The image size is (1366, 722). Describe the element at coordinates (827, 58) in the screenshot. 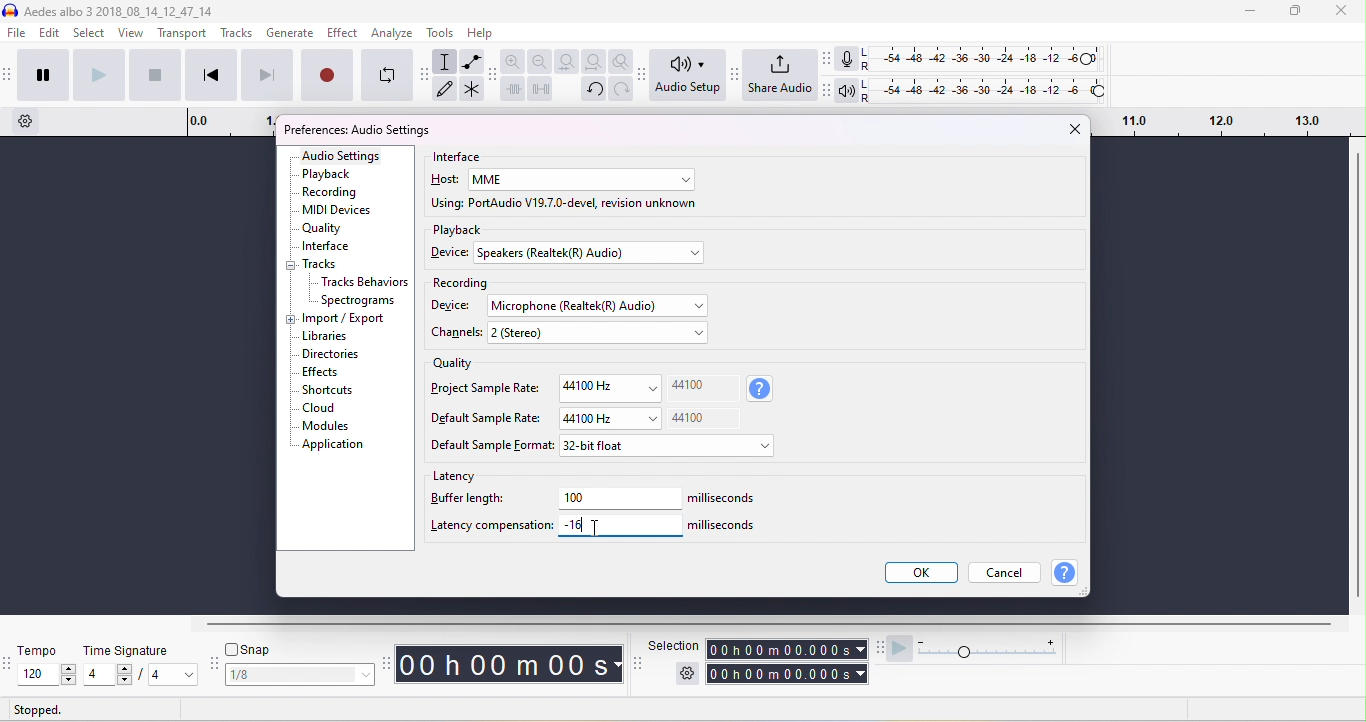

I see `audacity audio meter toolbar` at that location.